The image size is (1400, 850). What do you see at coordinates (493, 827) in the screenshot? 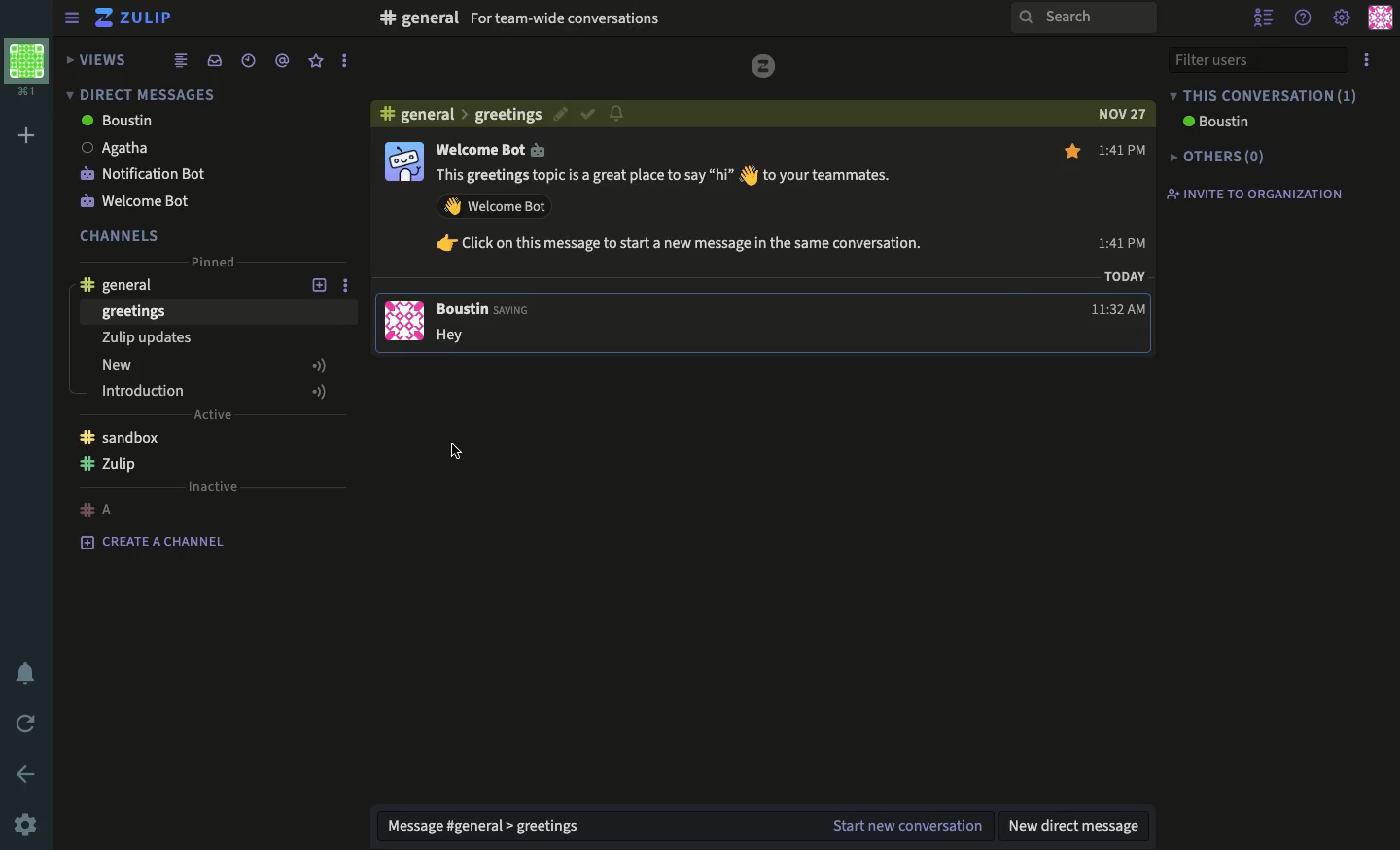
I see `message general` at bounding box center [493, 827].